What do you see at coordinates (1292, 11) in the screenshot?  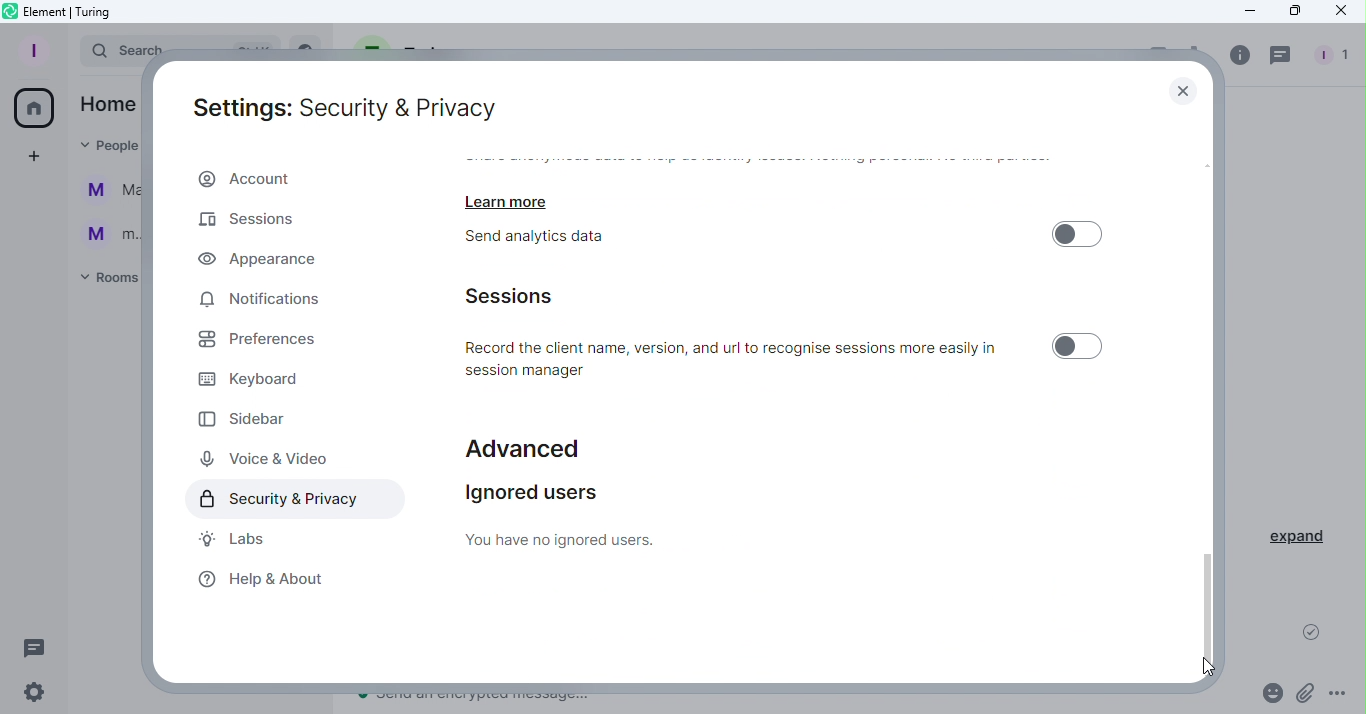 I see `Maximize` at bounding box center [1292, 11].